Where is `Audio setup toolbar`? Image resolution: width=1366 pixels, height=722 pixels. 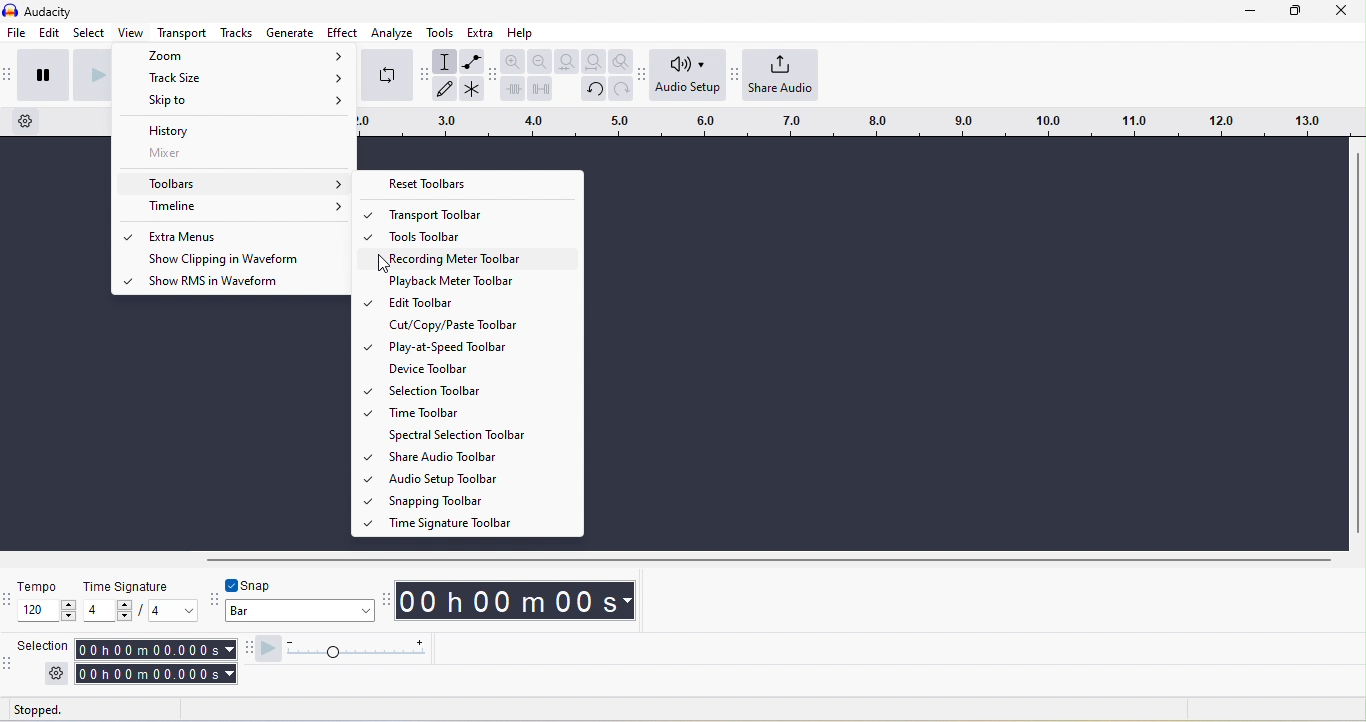
Audio setup toolbar is located at coordinates (479, 478).